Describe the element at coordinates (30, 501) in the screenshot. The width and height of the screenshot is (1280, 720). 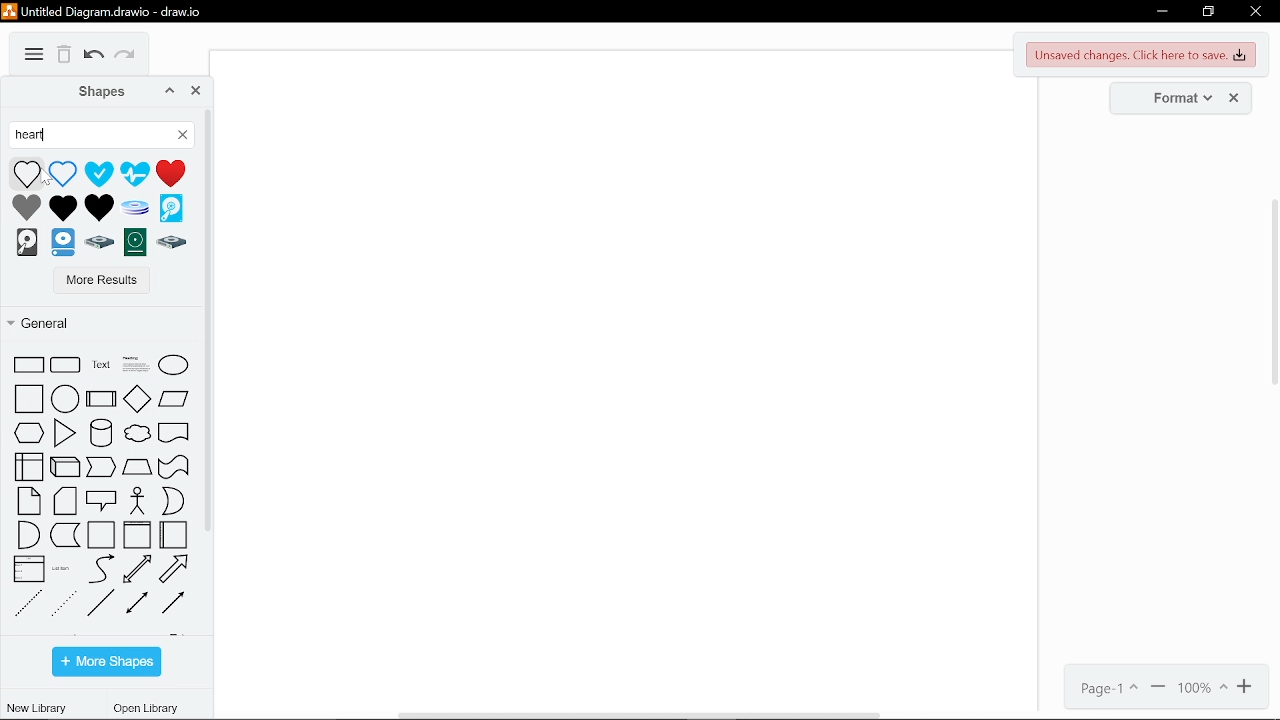
I see `note` at that location.